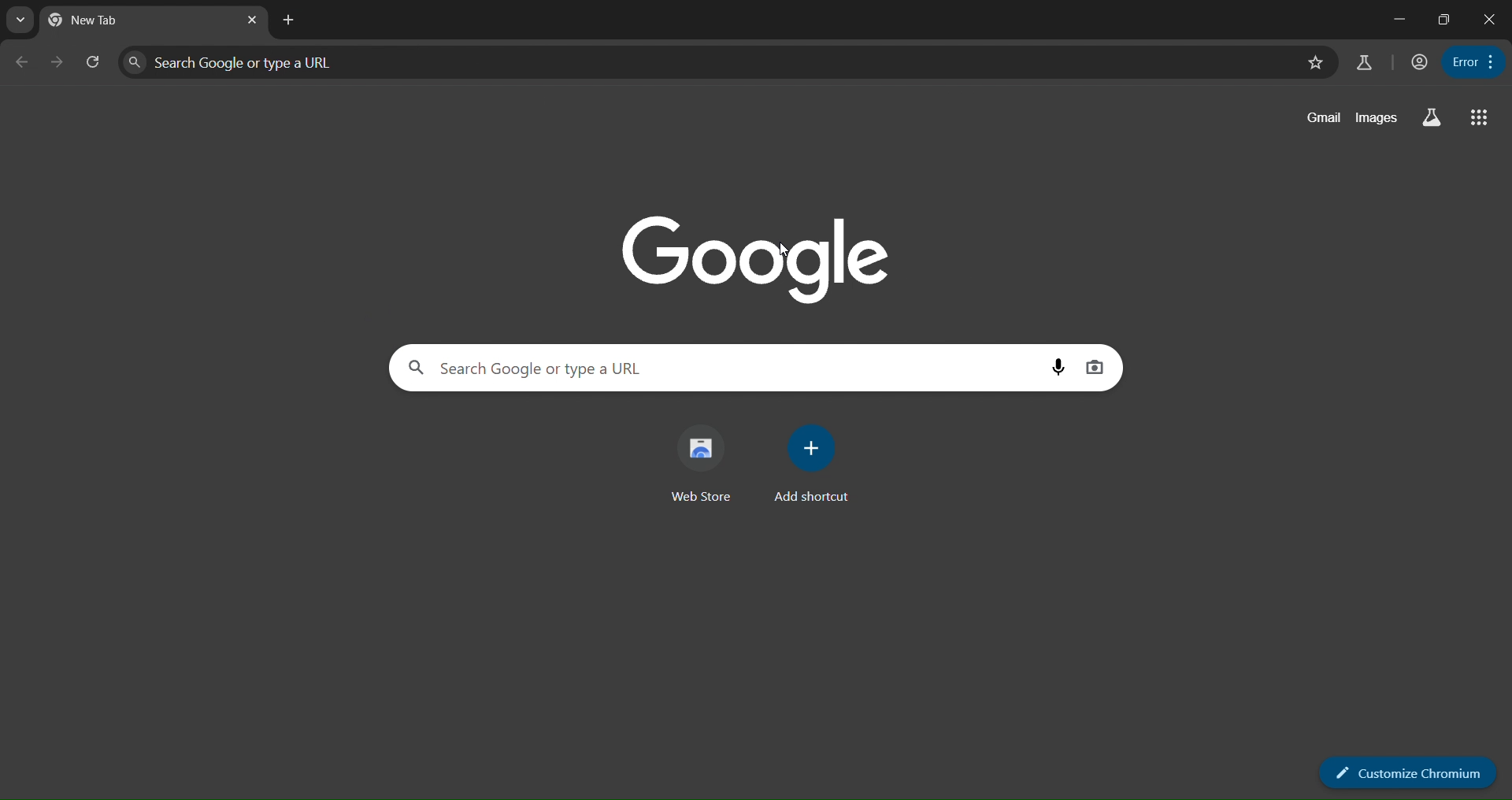 The width and height of the screenshot is (1512, 800). I want to click on account, so click(1416, 62).